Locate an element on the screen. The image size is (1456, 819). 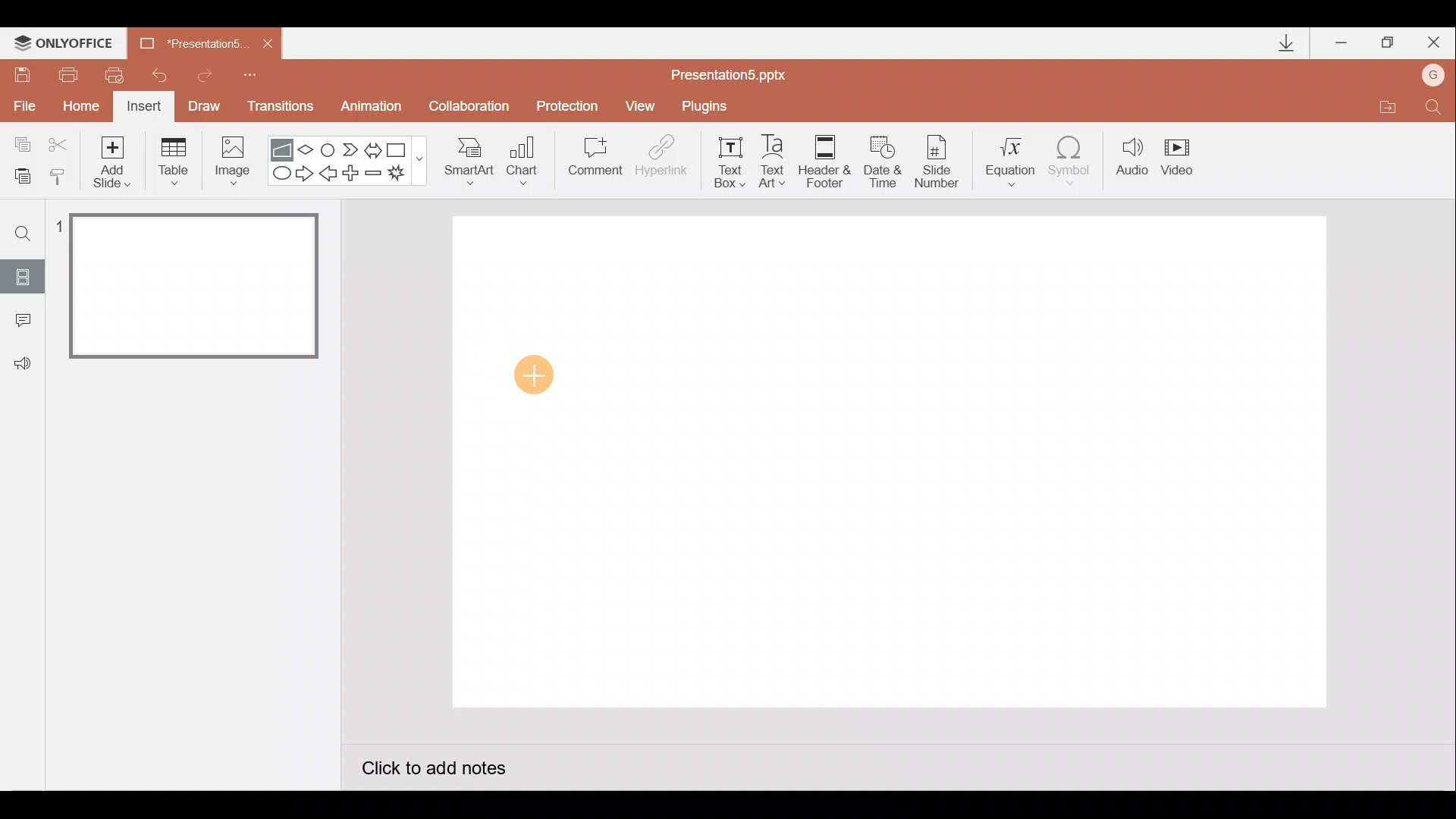
ONLYOFFICE is located at coordinates (67, 43).